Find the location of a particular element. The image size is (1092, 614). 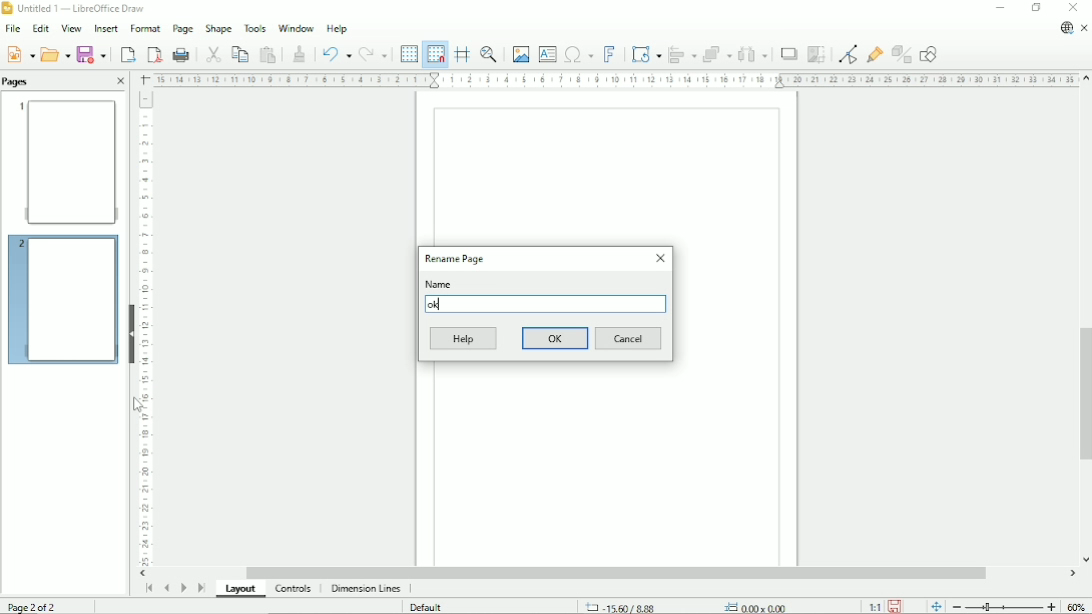

Paste is located at coordinates (268, 54).